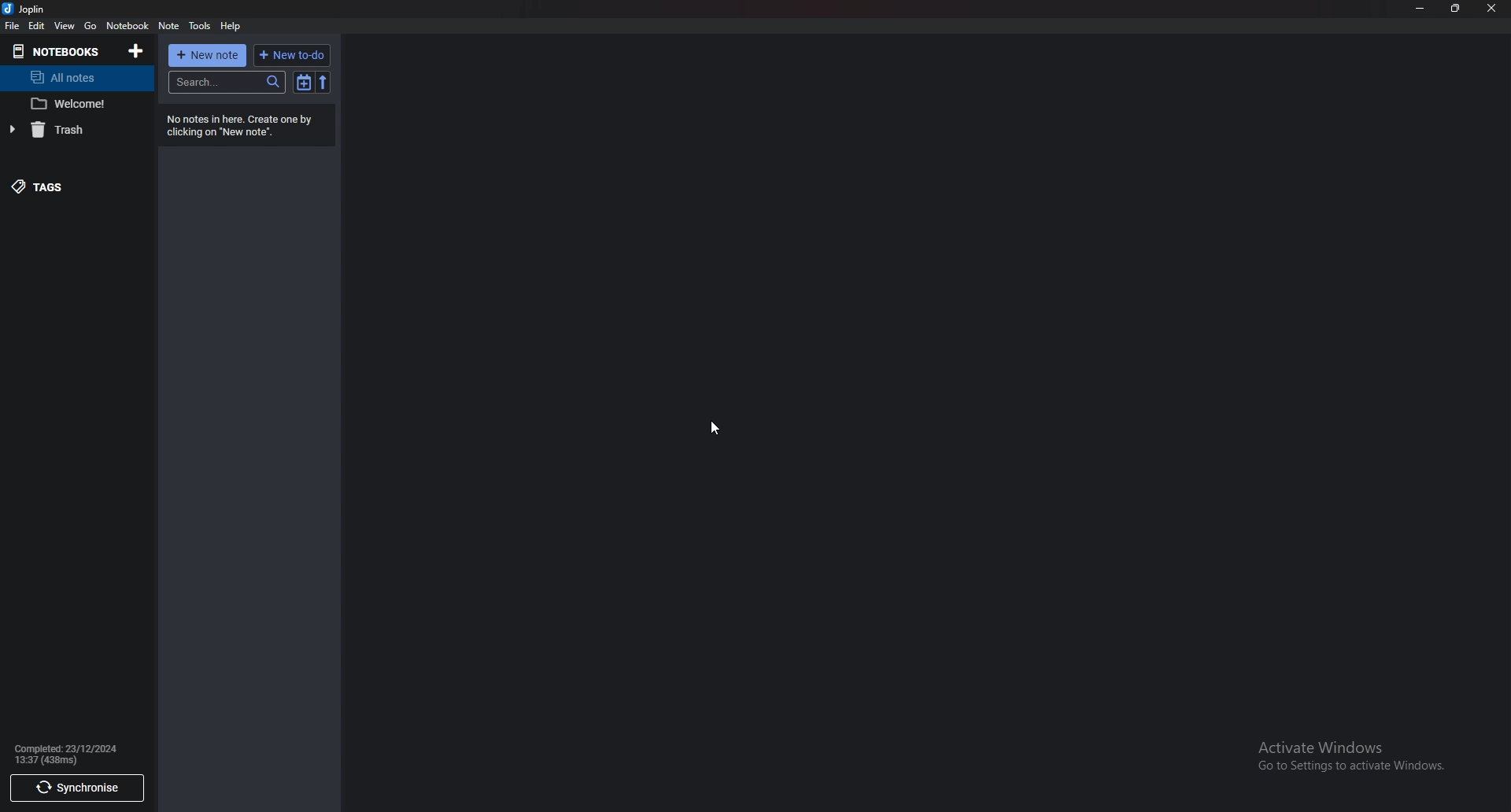 The width and height of the screenshot is (1511, 812). Describe the element at coordinates (323, 82) in the screenshot. I see `Reverse sort order` at that location.